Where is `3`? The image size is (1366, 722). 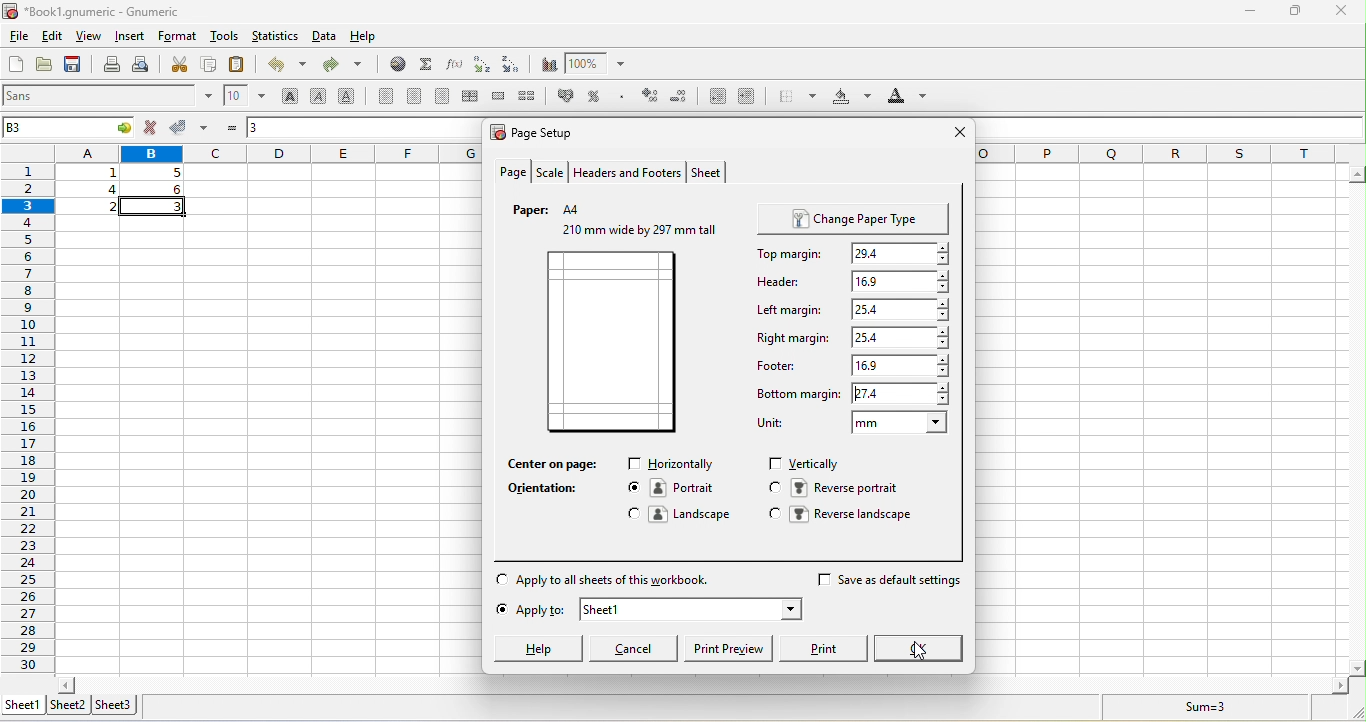 3 is located at coordinates (261, 125).